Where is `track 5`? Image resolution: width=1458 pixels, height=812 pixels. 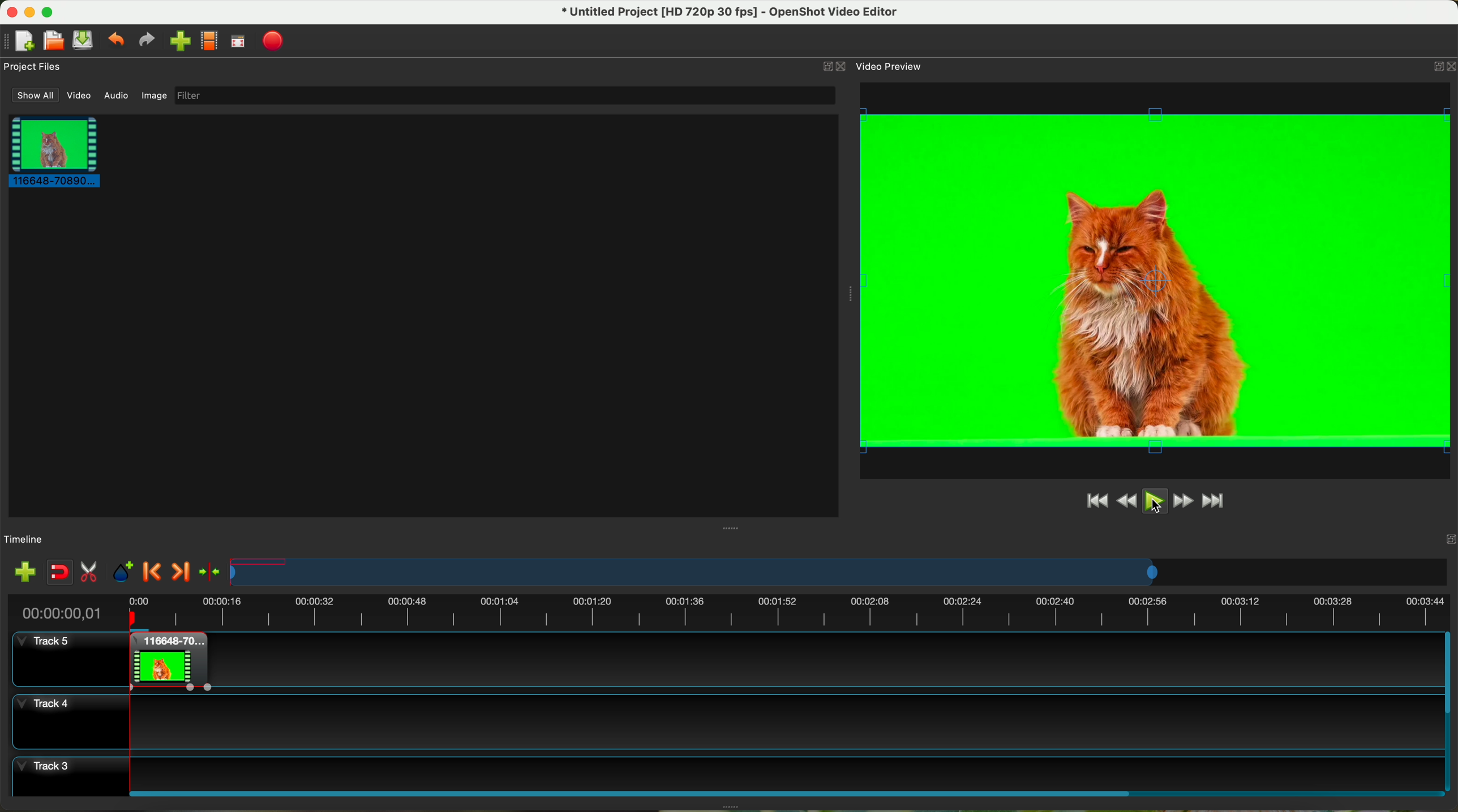 track 5 is located at coordinates (50, 647).